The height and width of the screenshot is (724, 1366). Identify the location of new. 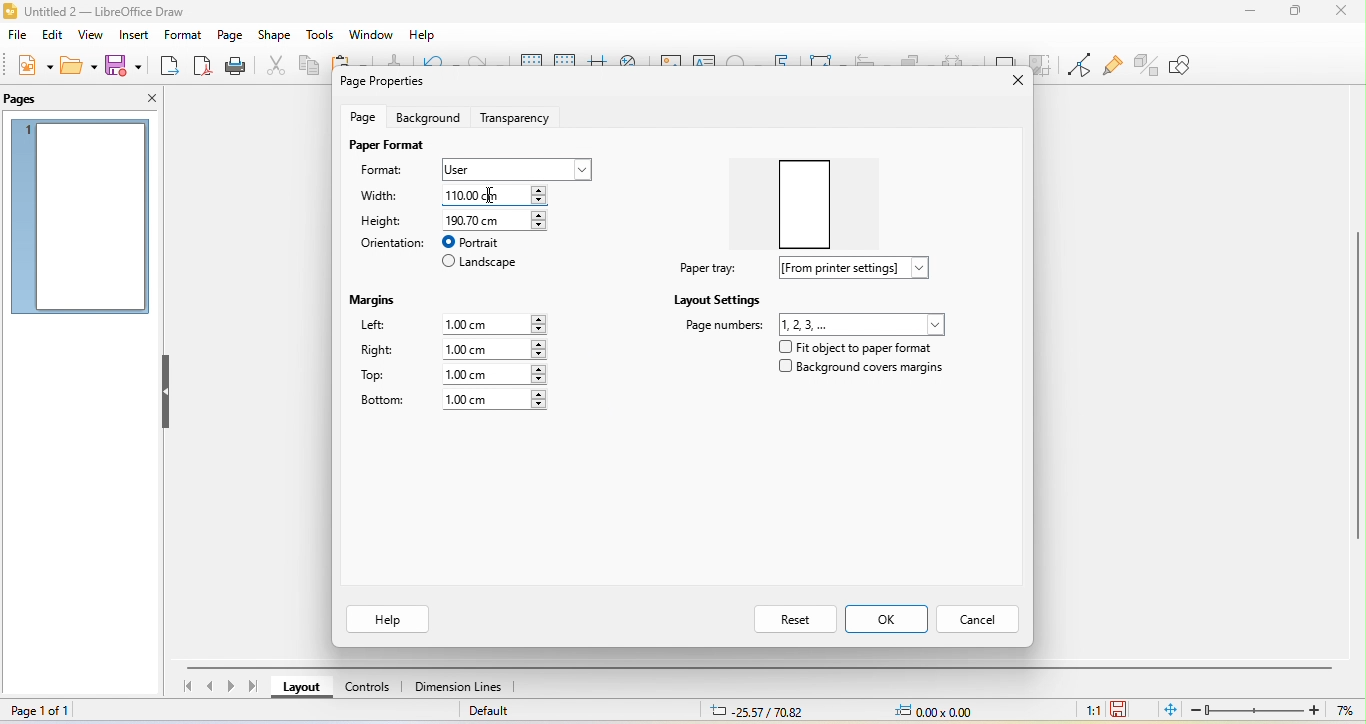
(32, 66).